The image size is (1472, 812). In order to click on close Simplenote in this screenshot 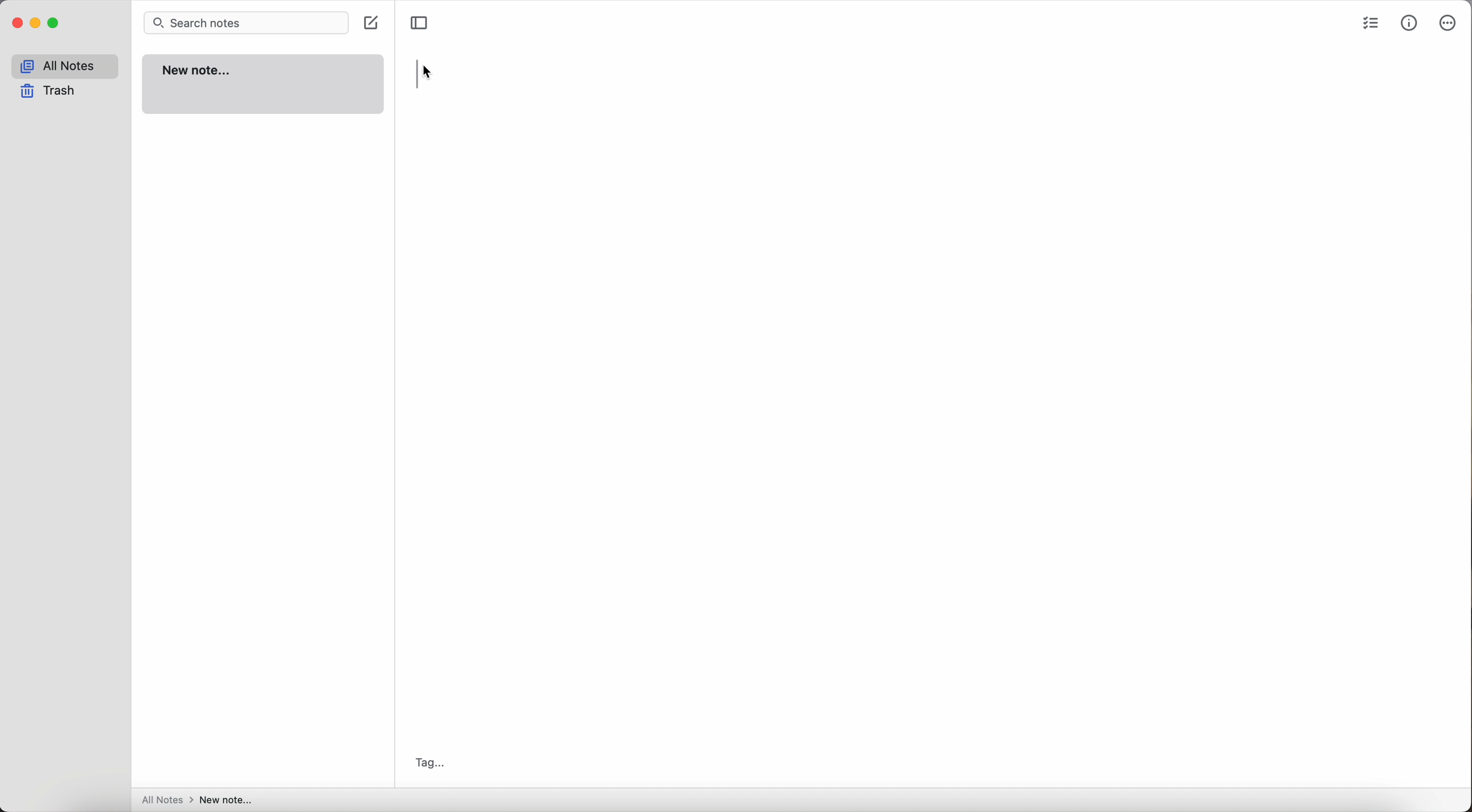, I will do `click(17, 23)`.